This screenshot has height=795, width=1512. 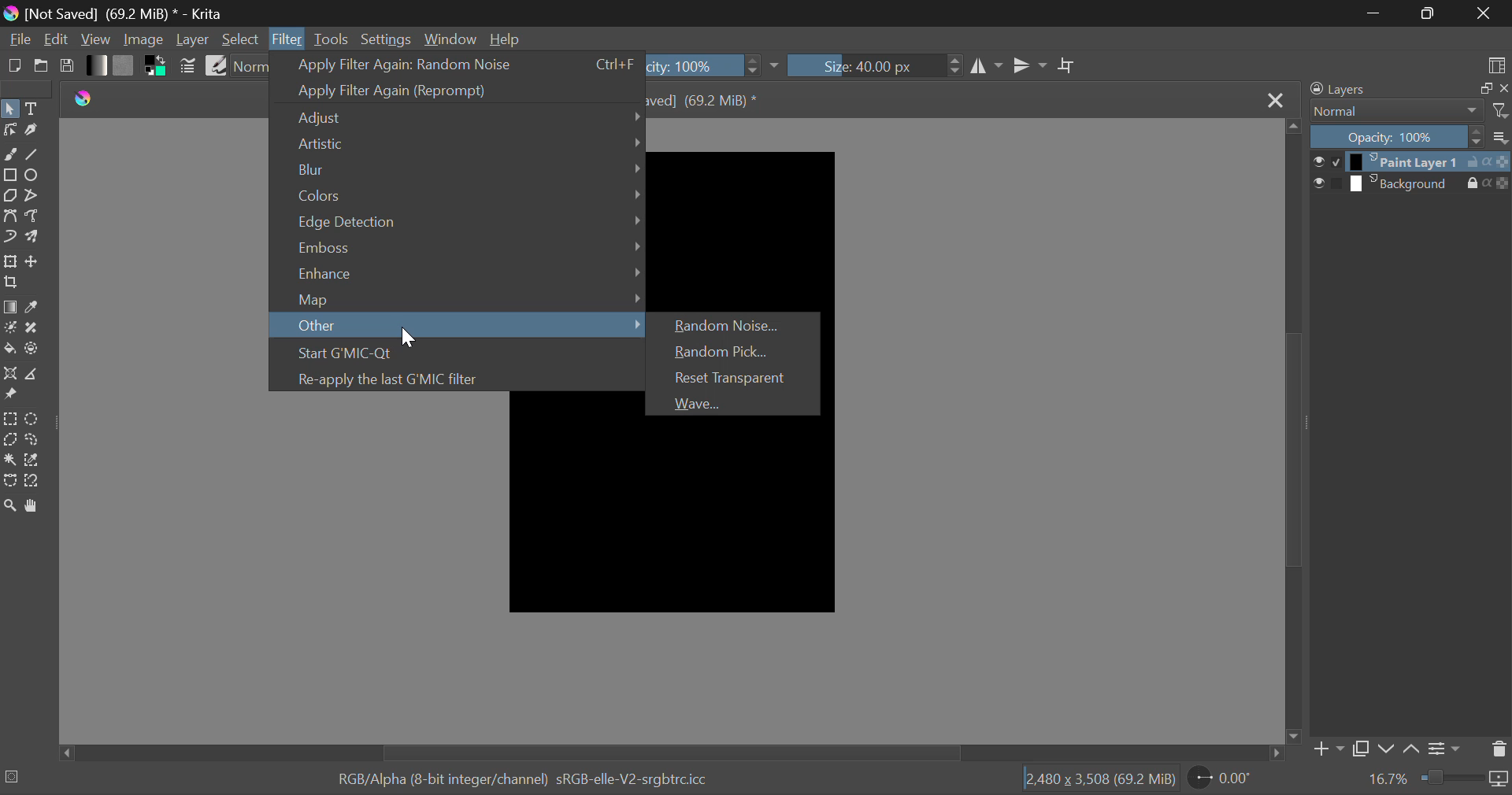 What do you see at coordinates (458, 325) in the screenshot?
I see `Other` at bounding box center [458, 325].